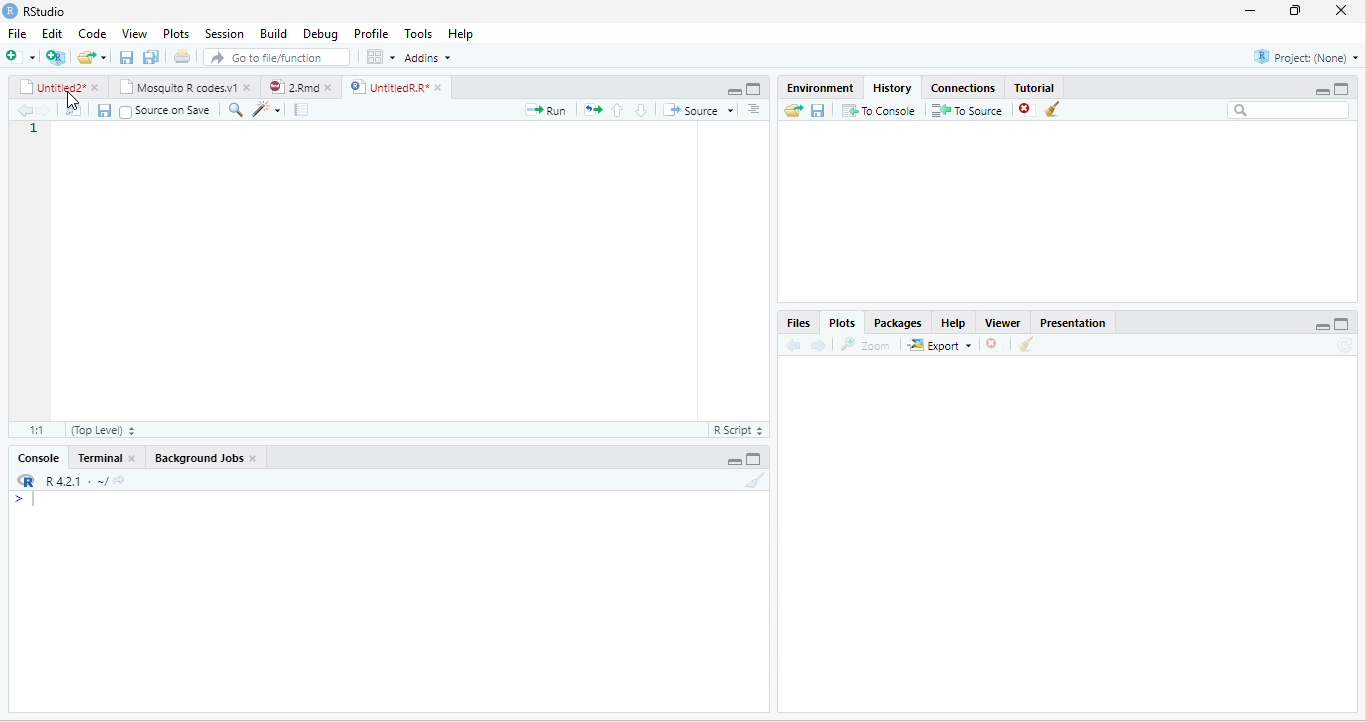  I want to click on packages, so click(897, 322).